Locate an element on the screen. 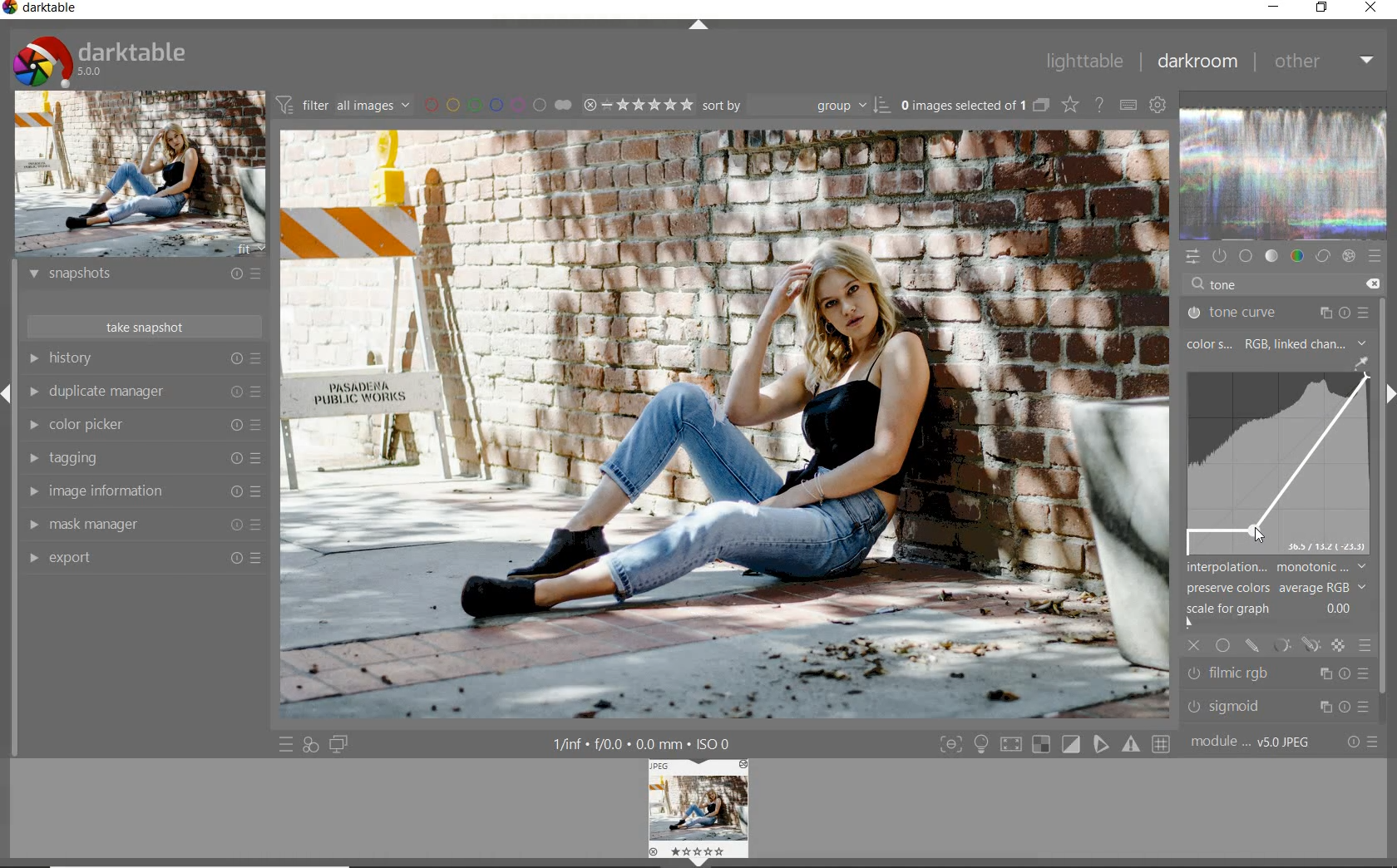 This screenshot has width=1397, height=868. lighttable is located at coordinates (1083, 64).